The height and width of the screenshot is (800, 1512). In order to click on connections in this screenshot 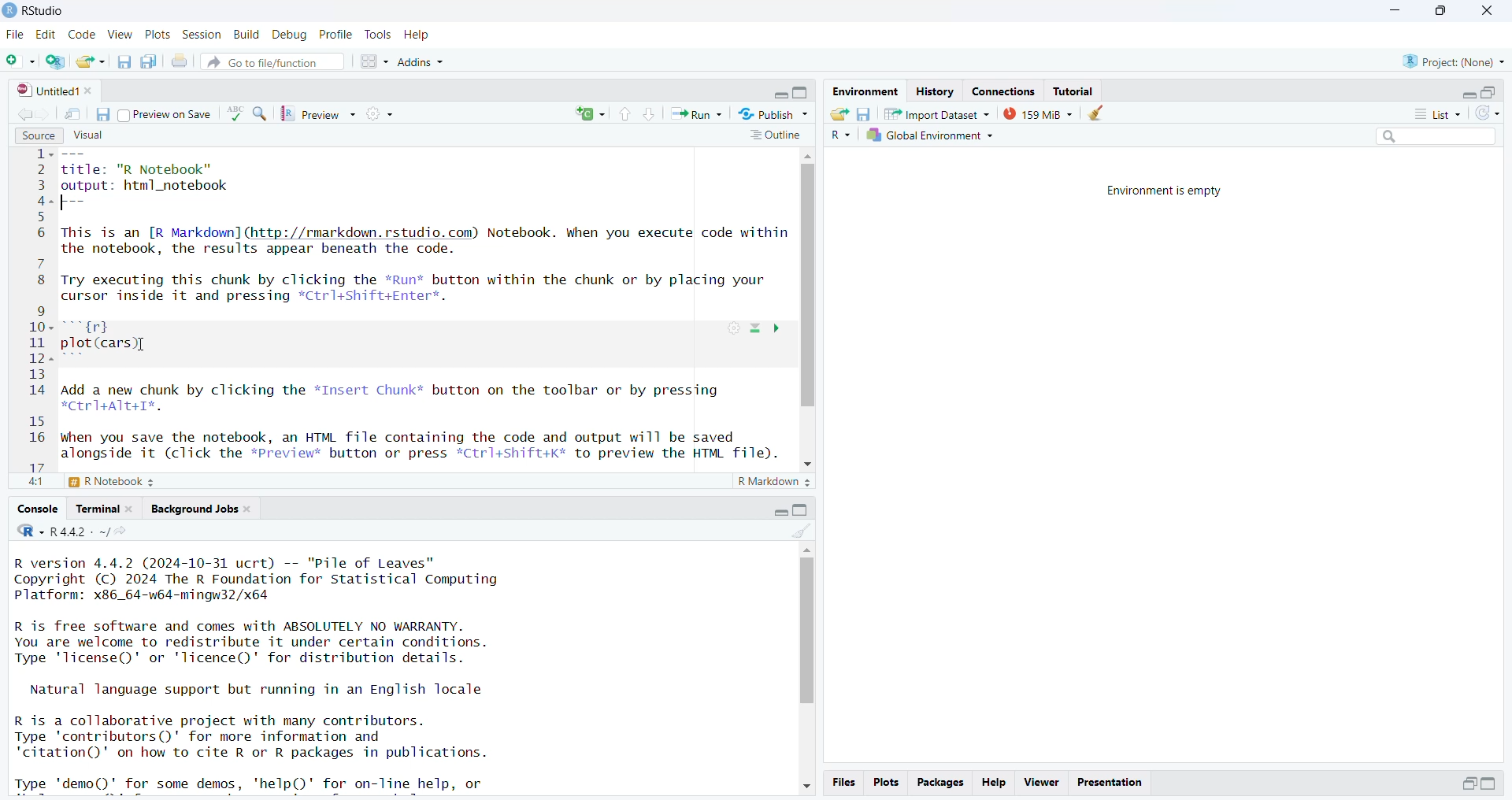, I will do `click(1008, 91)`.